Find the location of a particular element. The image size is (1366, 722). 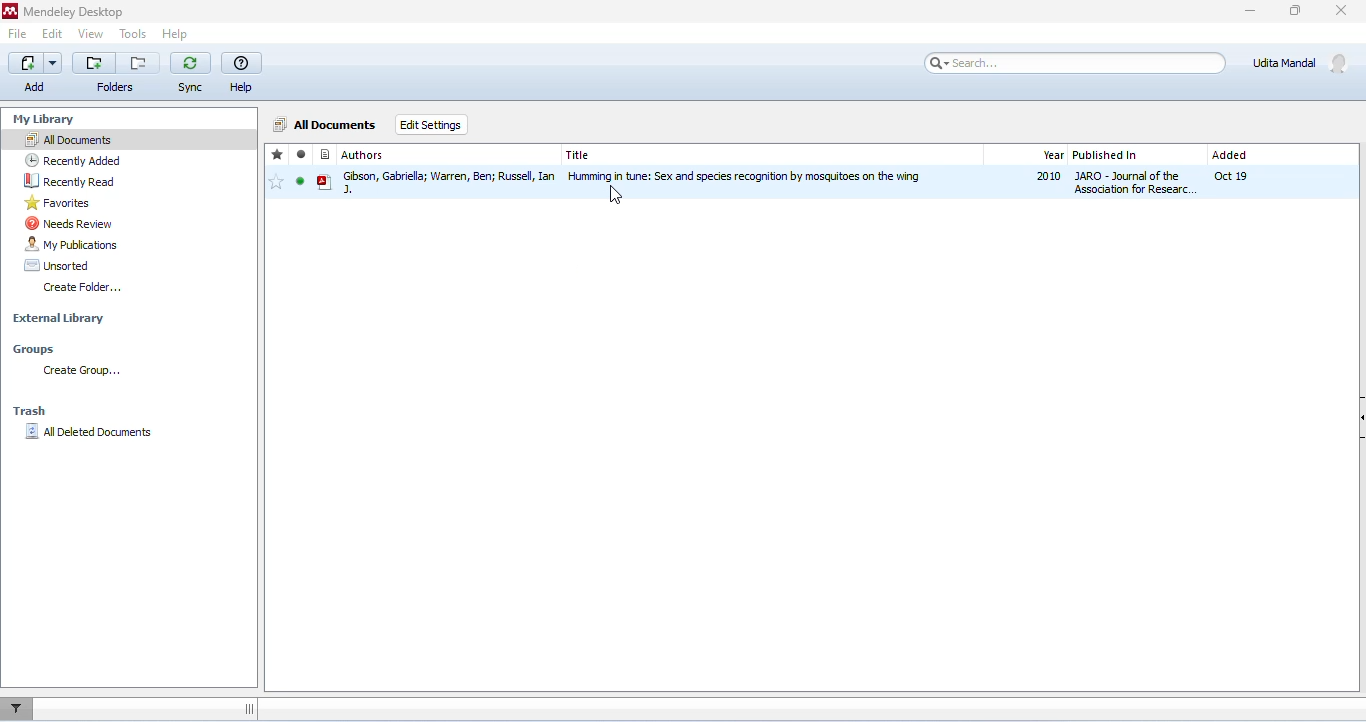

oct19 is located at coordinates (1231, 177).